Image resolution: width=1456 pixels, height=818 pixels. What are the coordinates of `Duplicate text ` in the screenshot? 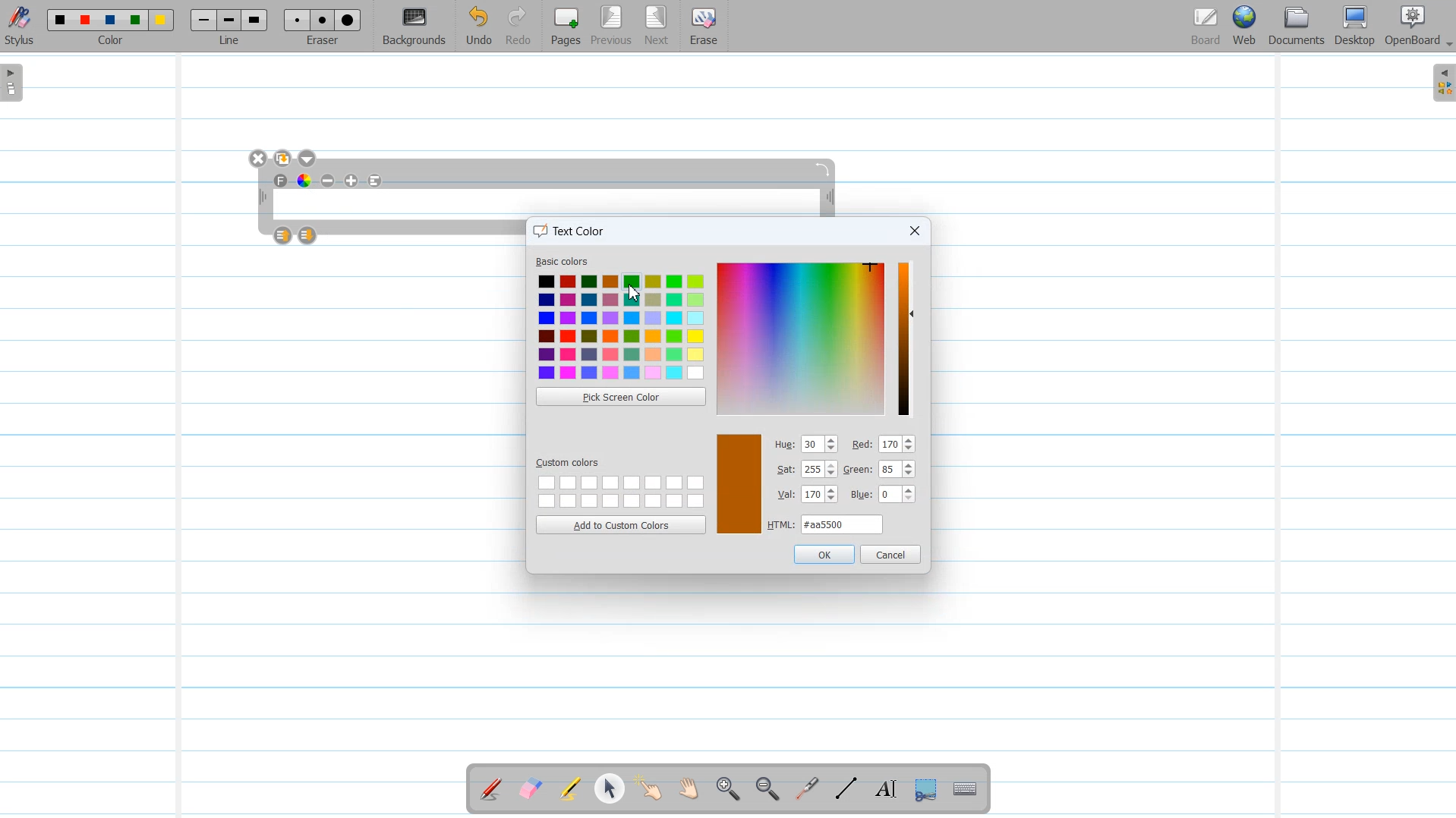 It's located at (284, 159).